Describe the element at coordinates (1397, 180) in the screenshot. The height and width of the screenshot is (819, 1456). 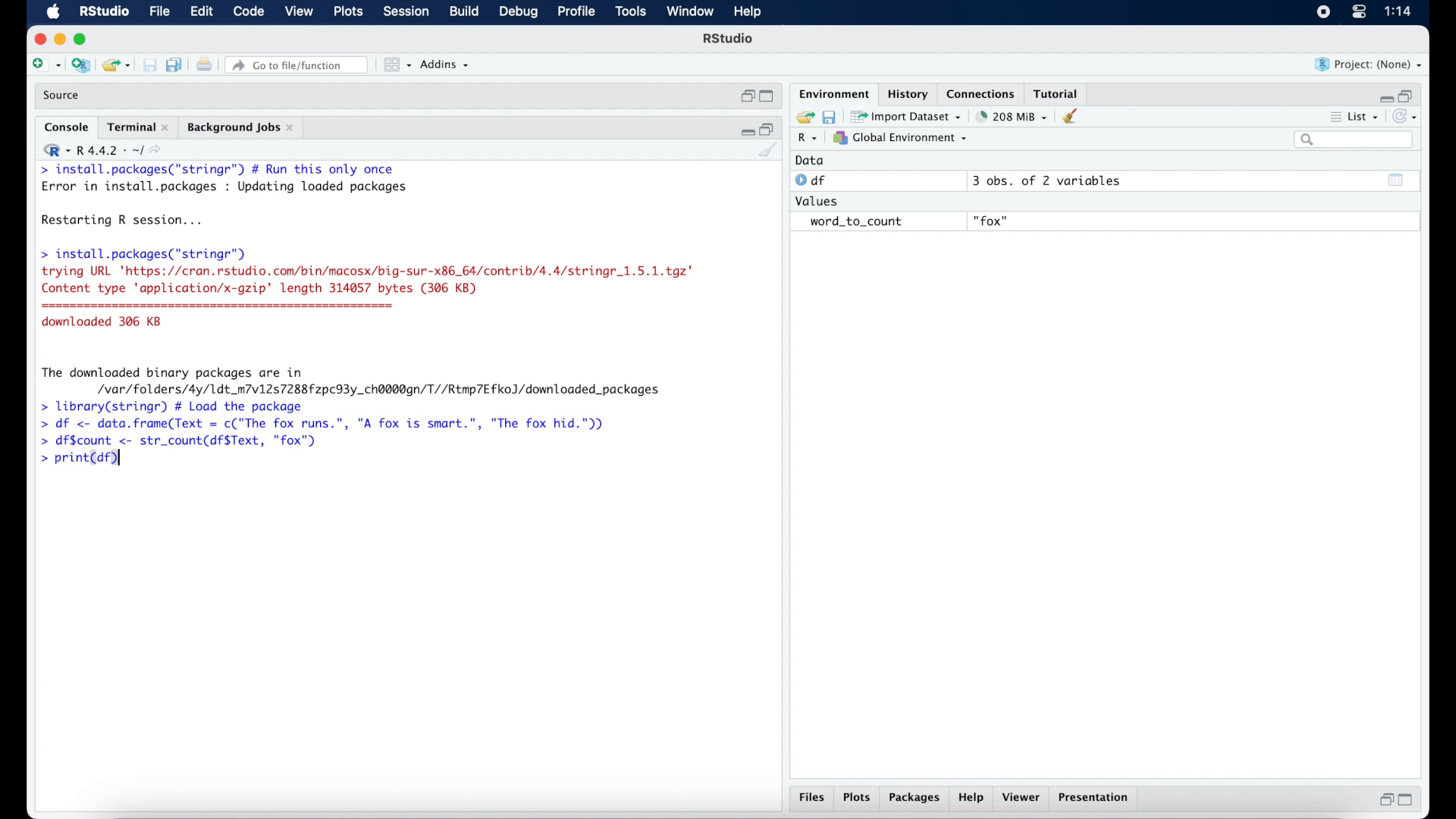
I see `show output window` at that location.